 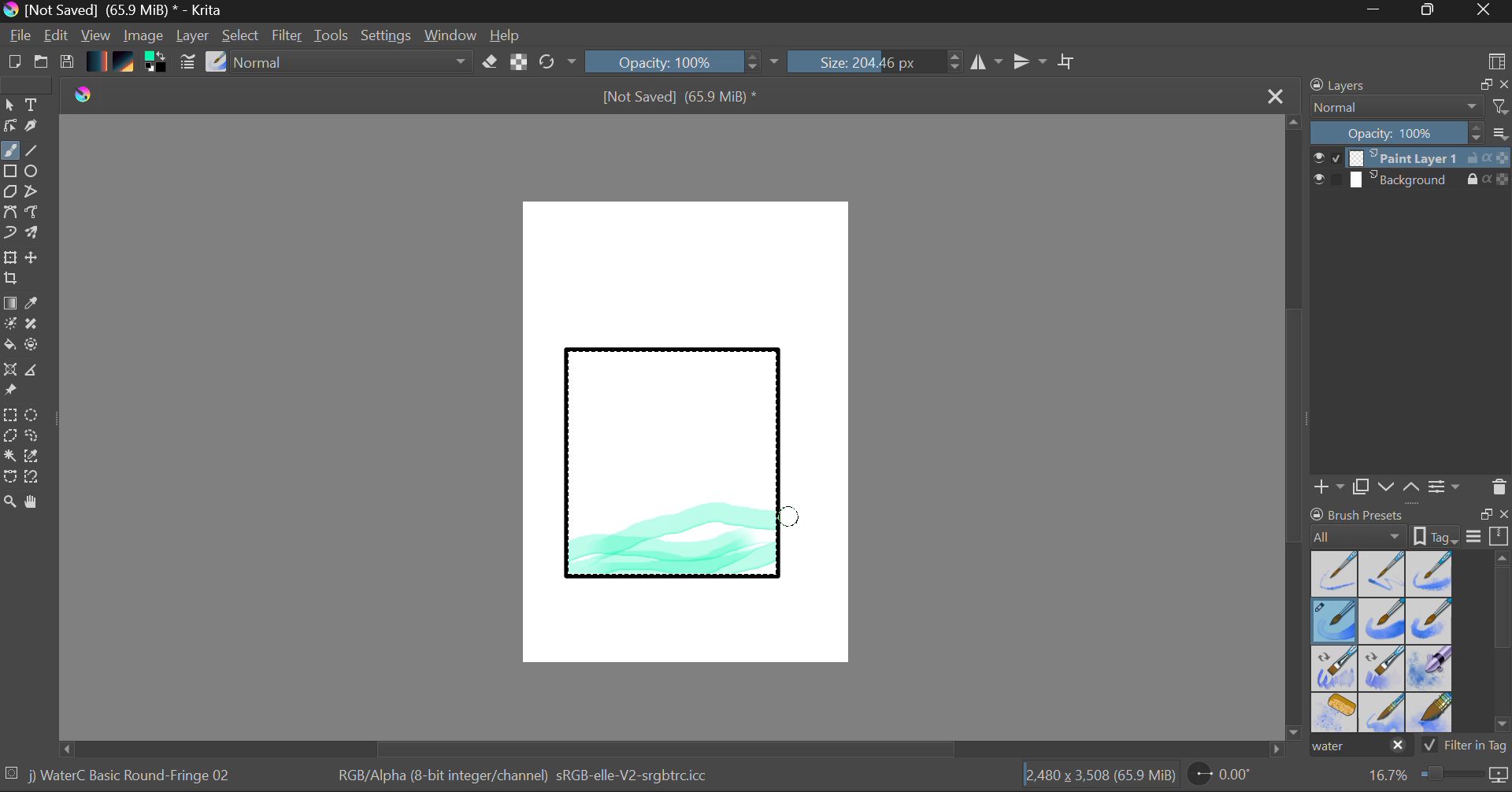 What do you see at coordinates (1384, 712) in the screenshot?
I see `Water C - Spread` at bounding box center [1384, 712].